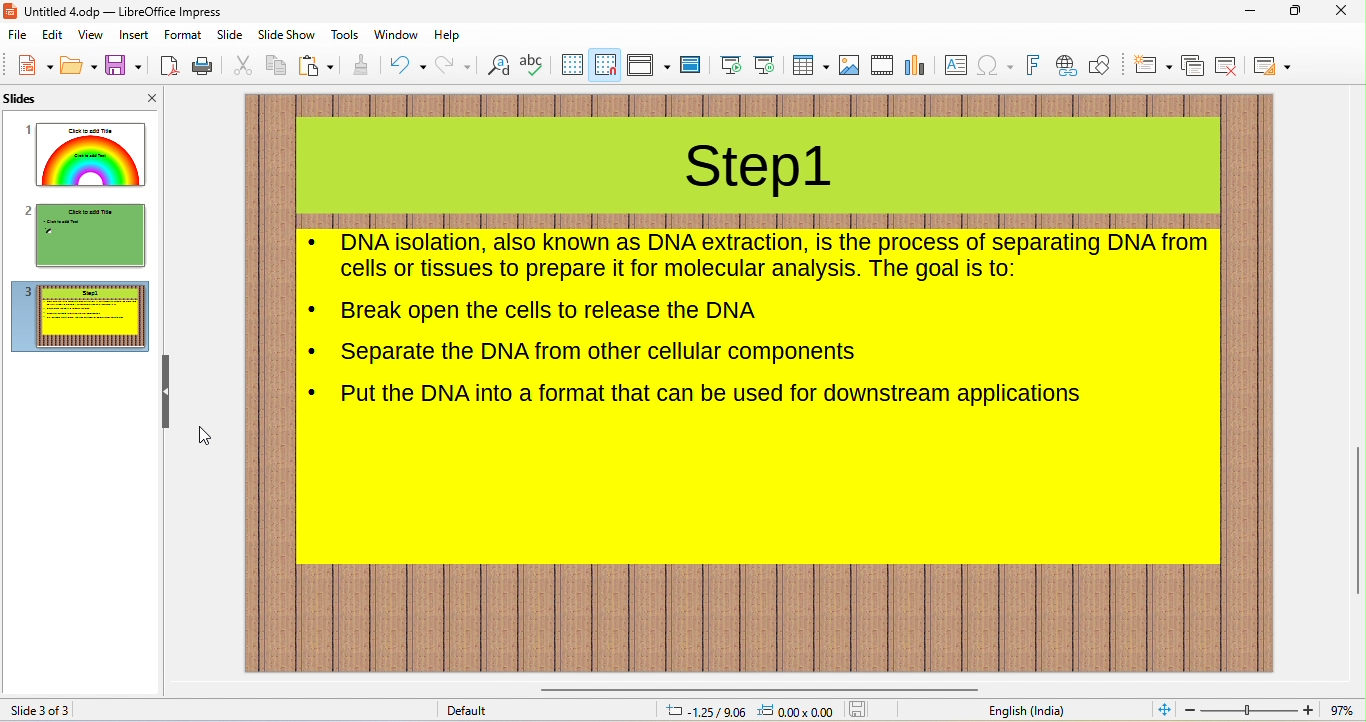 Image resolution: width=1366 pixels, height=722 pixels. Describe the element at coordinates (55, 37) in the screenshot. I see `edit` at that location.